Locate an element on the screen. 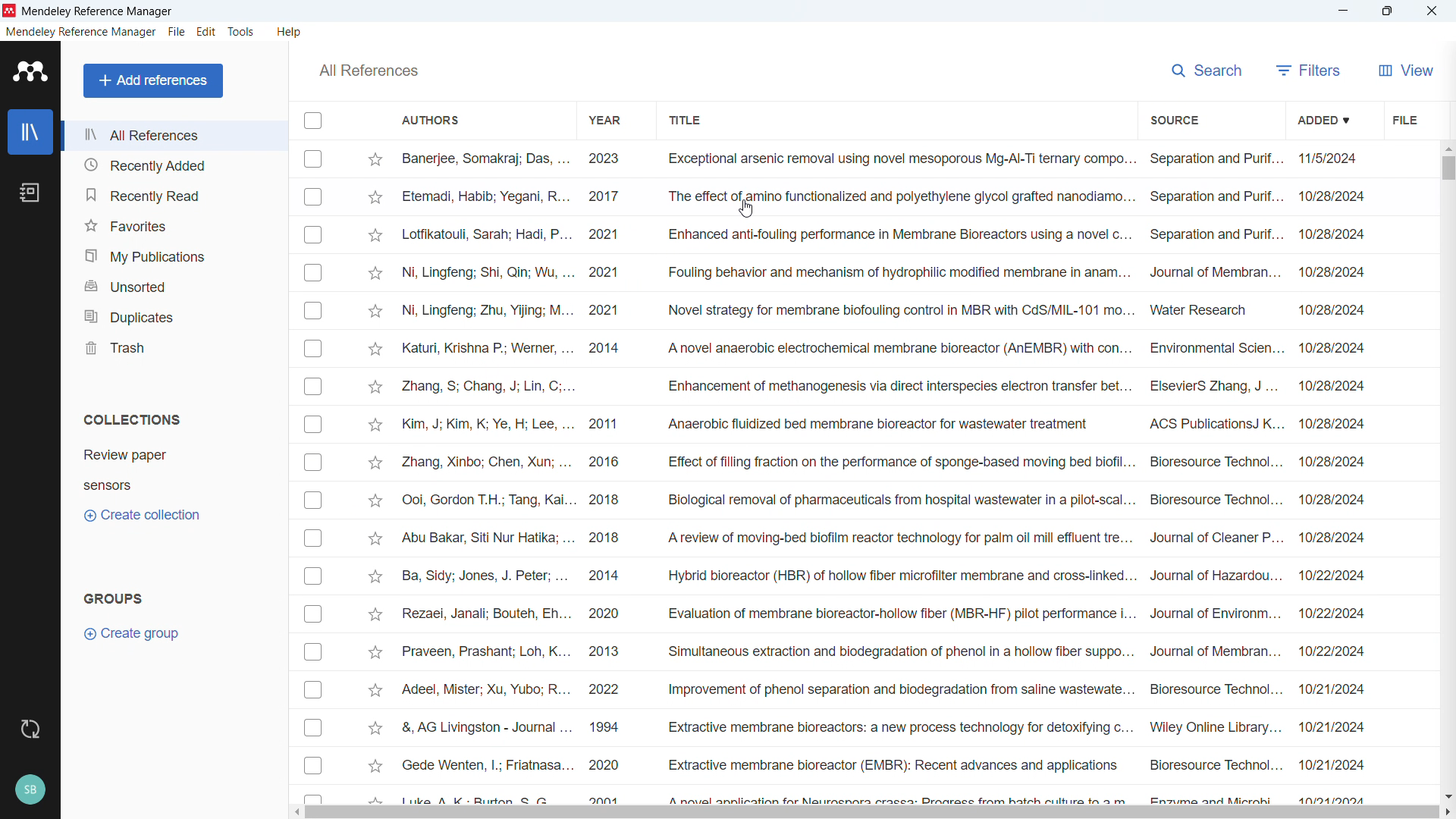  Create group  is located at coordinates (132, 635).